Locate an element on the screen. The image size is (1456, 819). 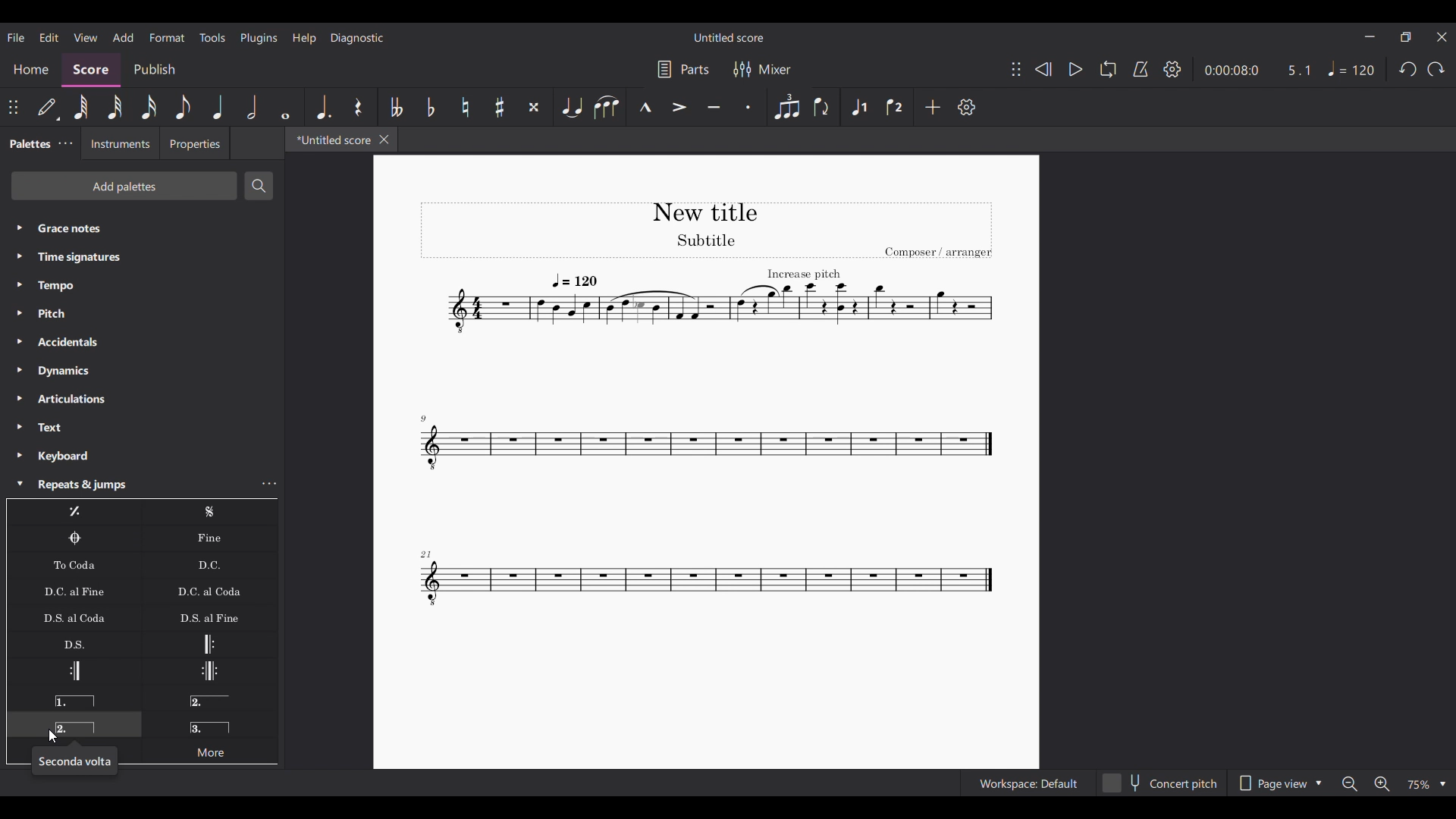
D.S. al Coda is located at coordinates (74, 617).